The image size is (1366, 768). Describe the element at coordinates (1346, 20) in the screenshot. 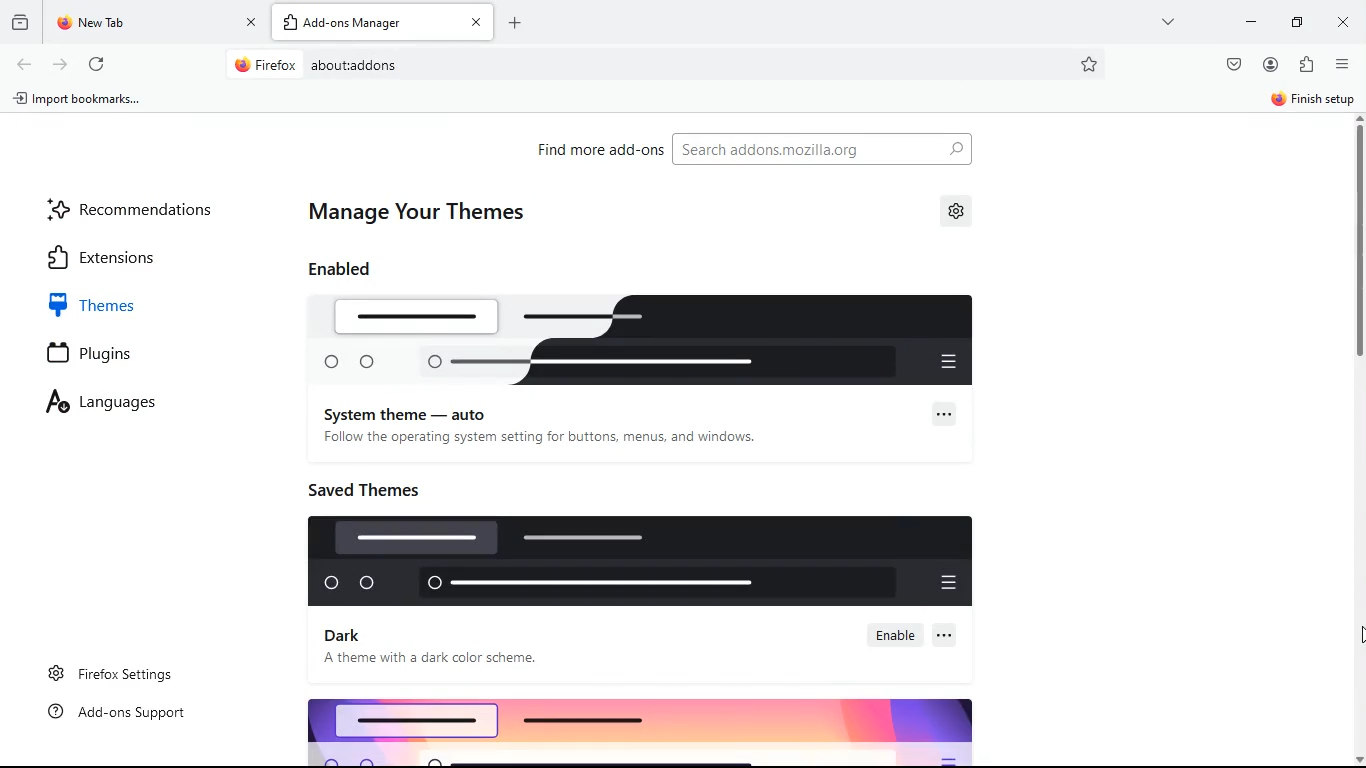

I see `close` at that location.